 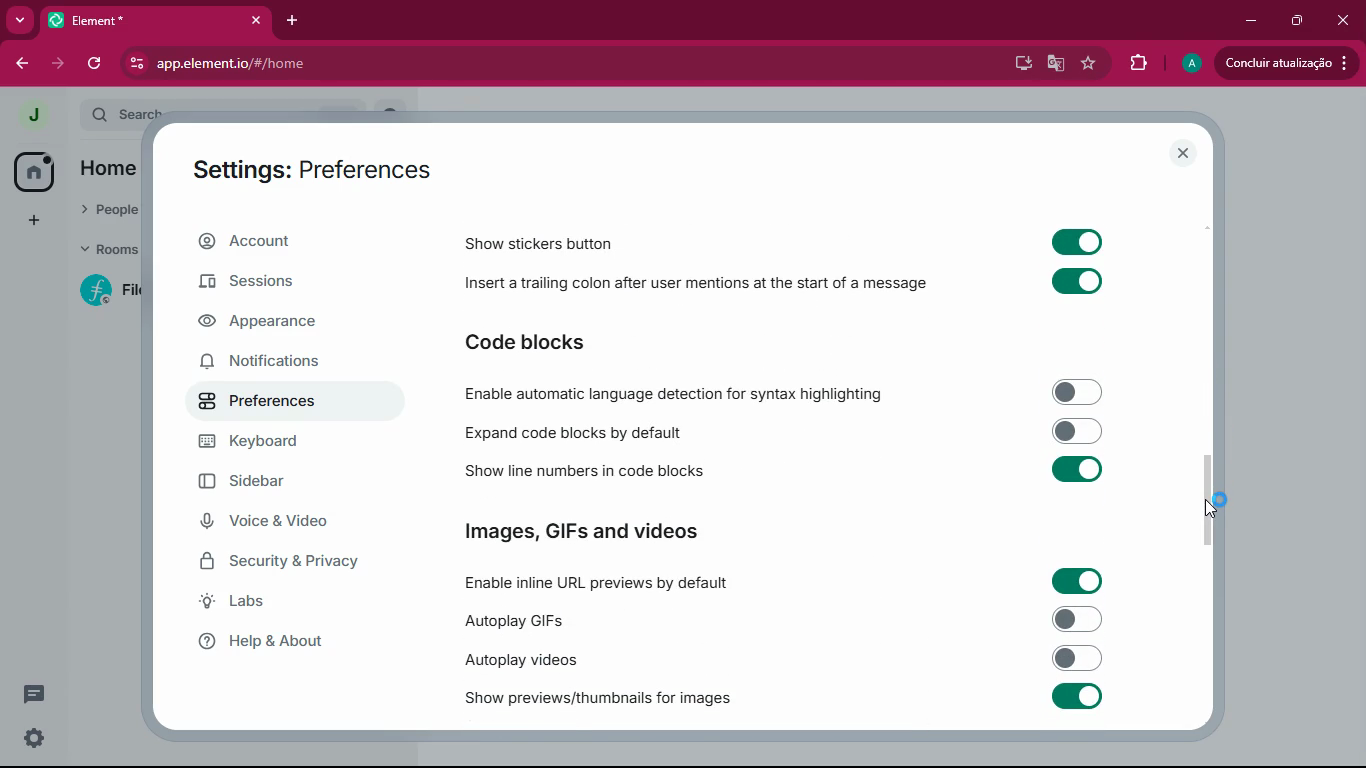 What do you see at coordinates (593, 527) in the screenshot?
I see `Images, GIFs and Videos` at bounding box center [593, 527].